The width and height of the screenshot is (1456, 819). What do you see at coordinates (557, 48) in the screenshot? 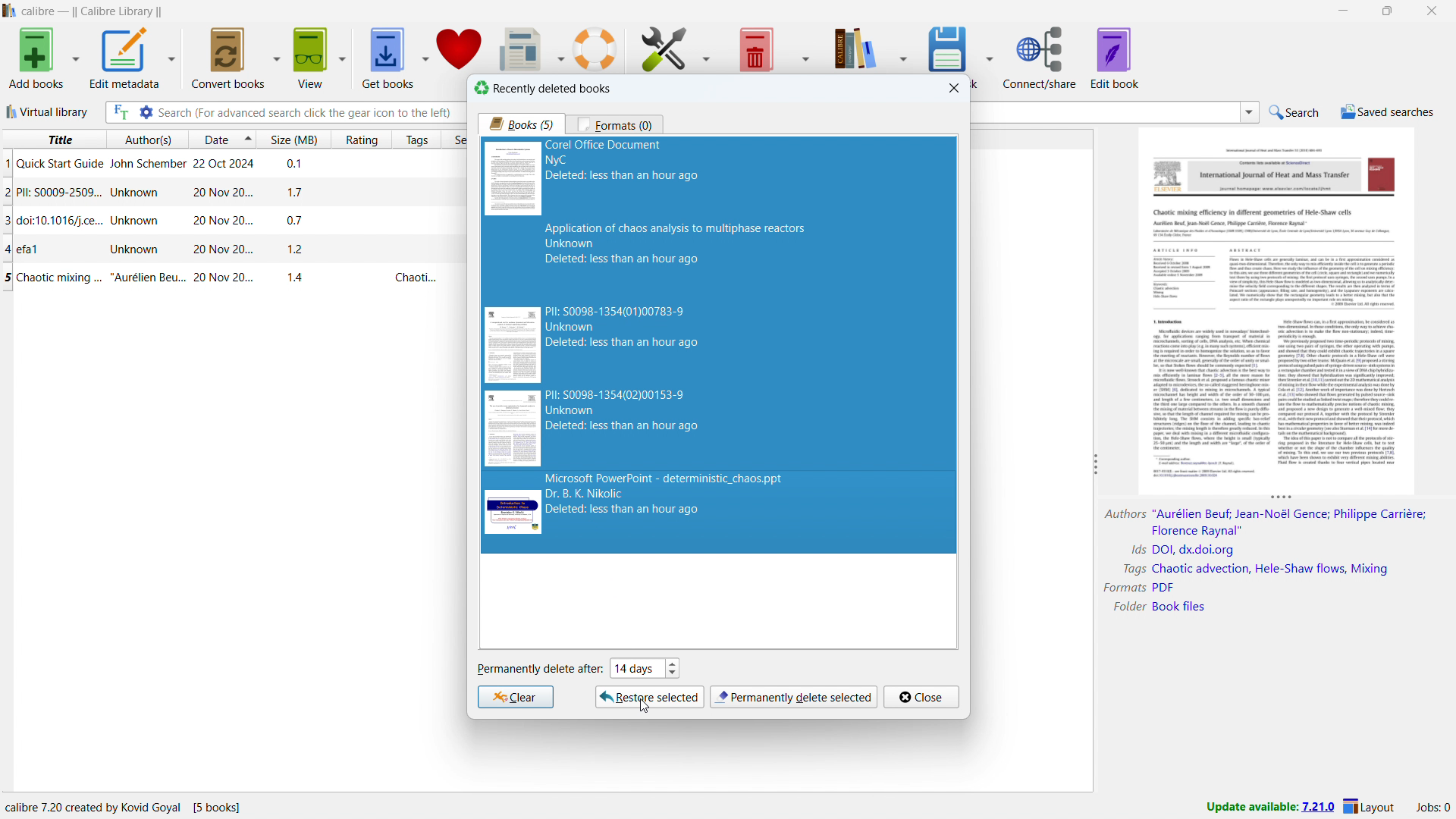
I see `fetch news options` at bounding box center [557, 48].